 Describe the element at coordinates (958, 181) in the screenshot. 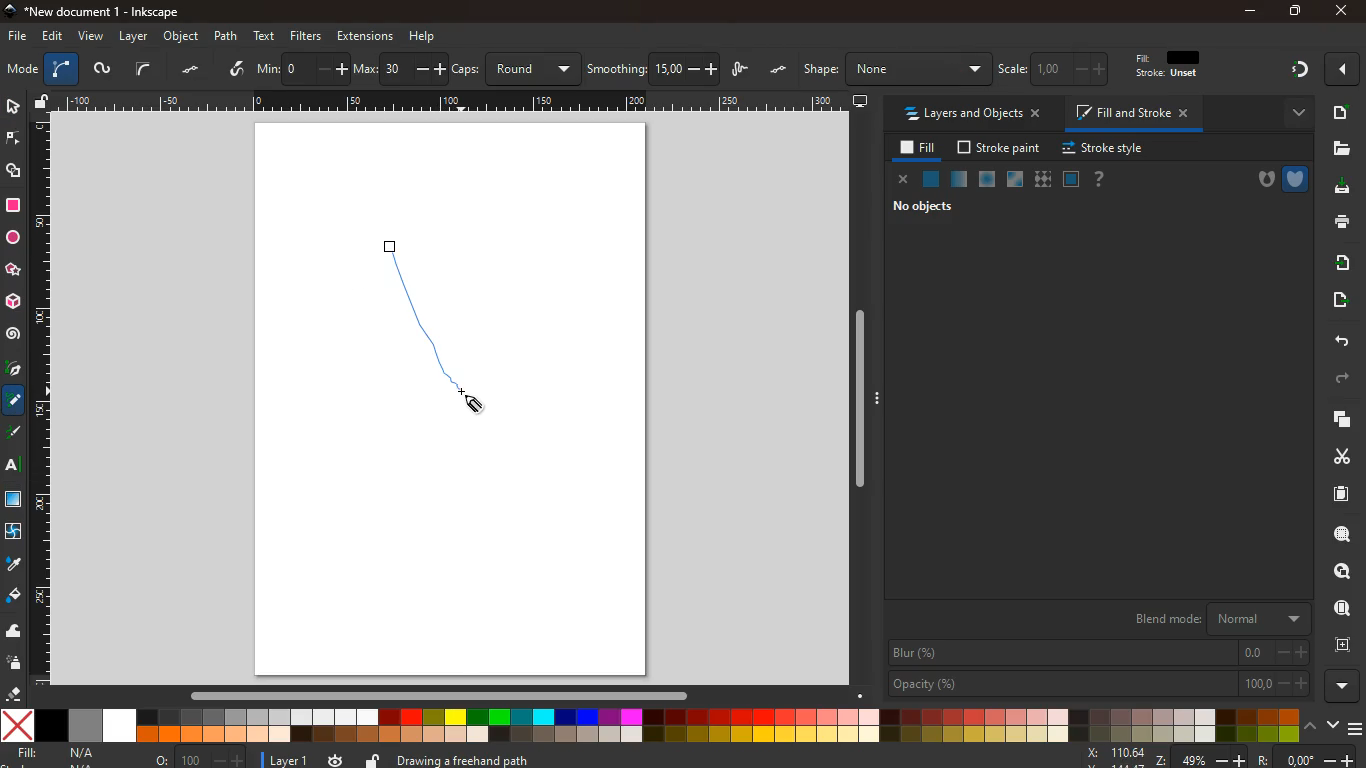

I see `glass` at that location.